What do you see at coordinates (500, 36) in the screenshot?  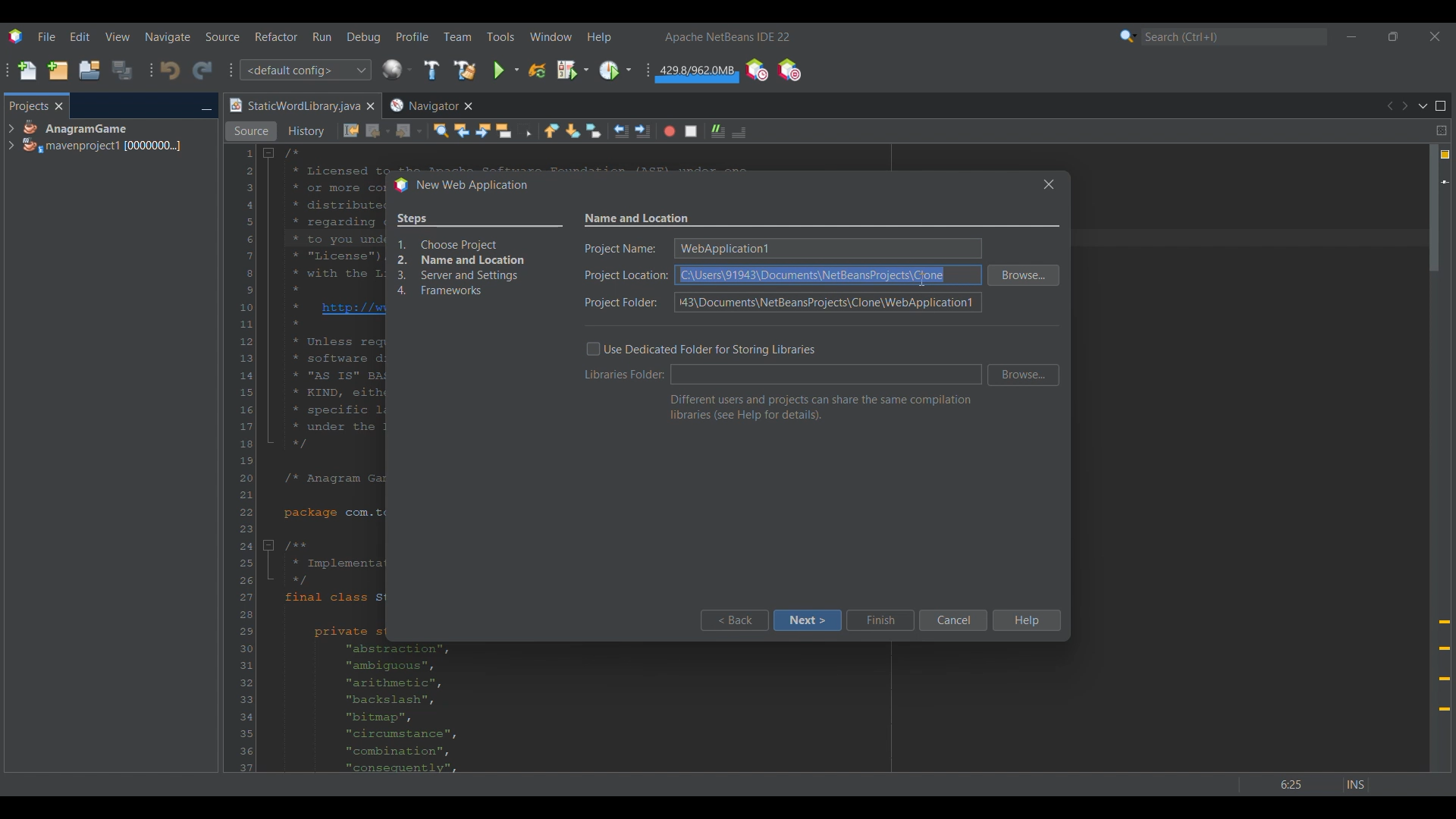 I see `Tools menu` at bounding box center [500, 36].